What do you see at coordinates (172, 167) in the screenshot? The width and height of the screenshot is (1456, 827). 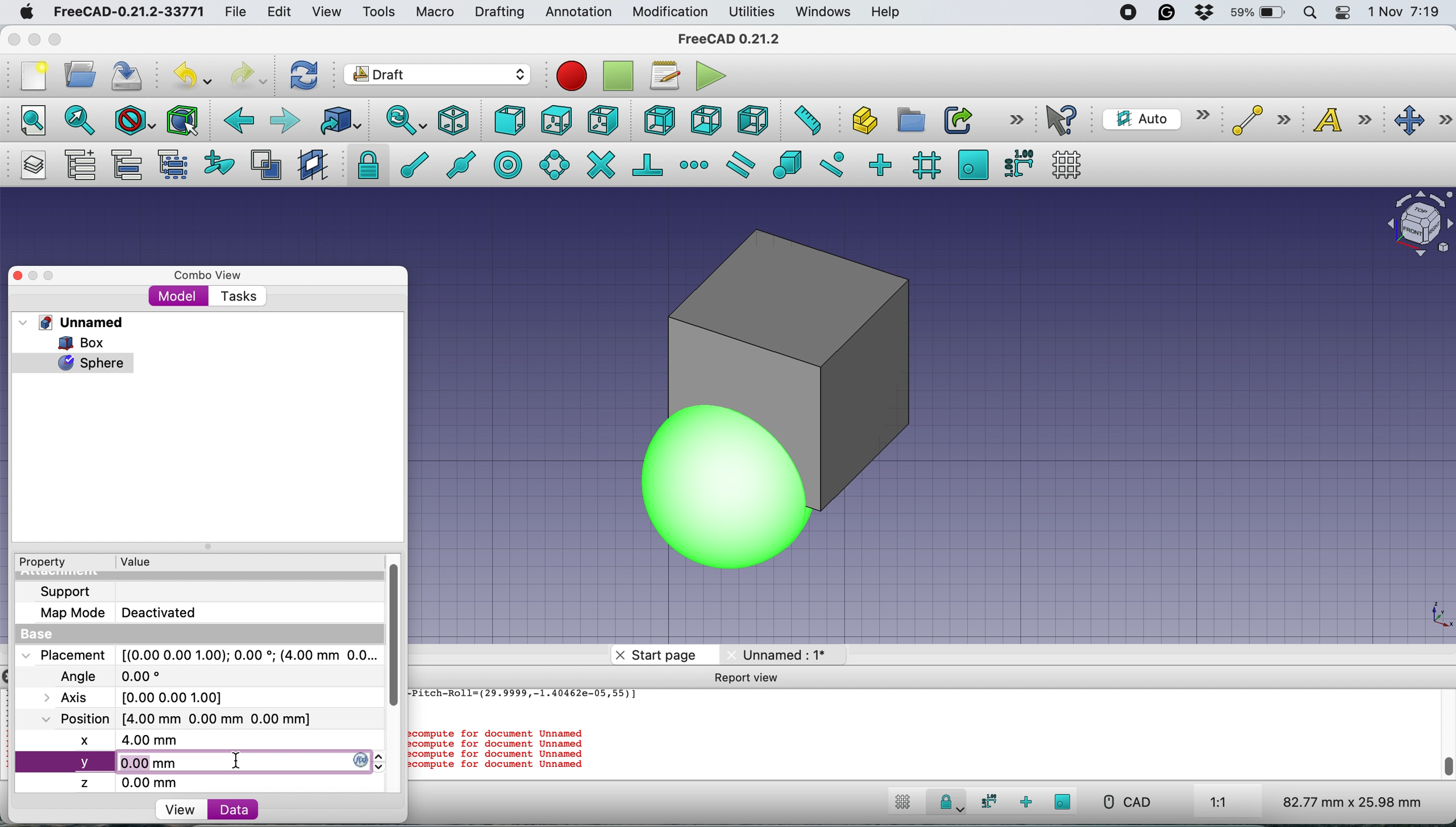 I see `select group` at bounding box center [172, 167].